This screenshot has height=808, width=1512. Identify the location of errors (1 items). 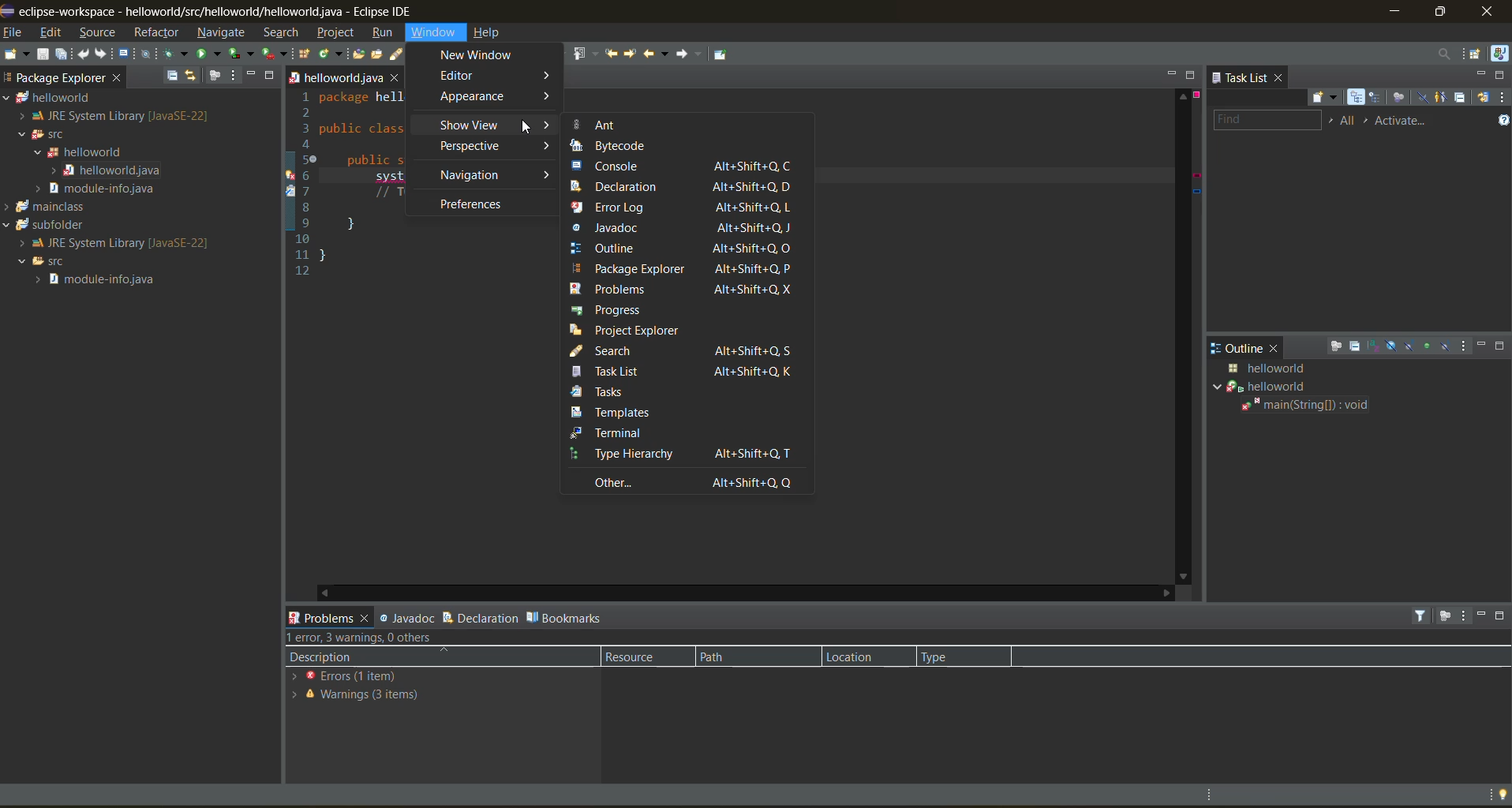
(369, 679).